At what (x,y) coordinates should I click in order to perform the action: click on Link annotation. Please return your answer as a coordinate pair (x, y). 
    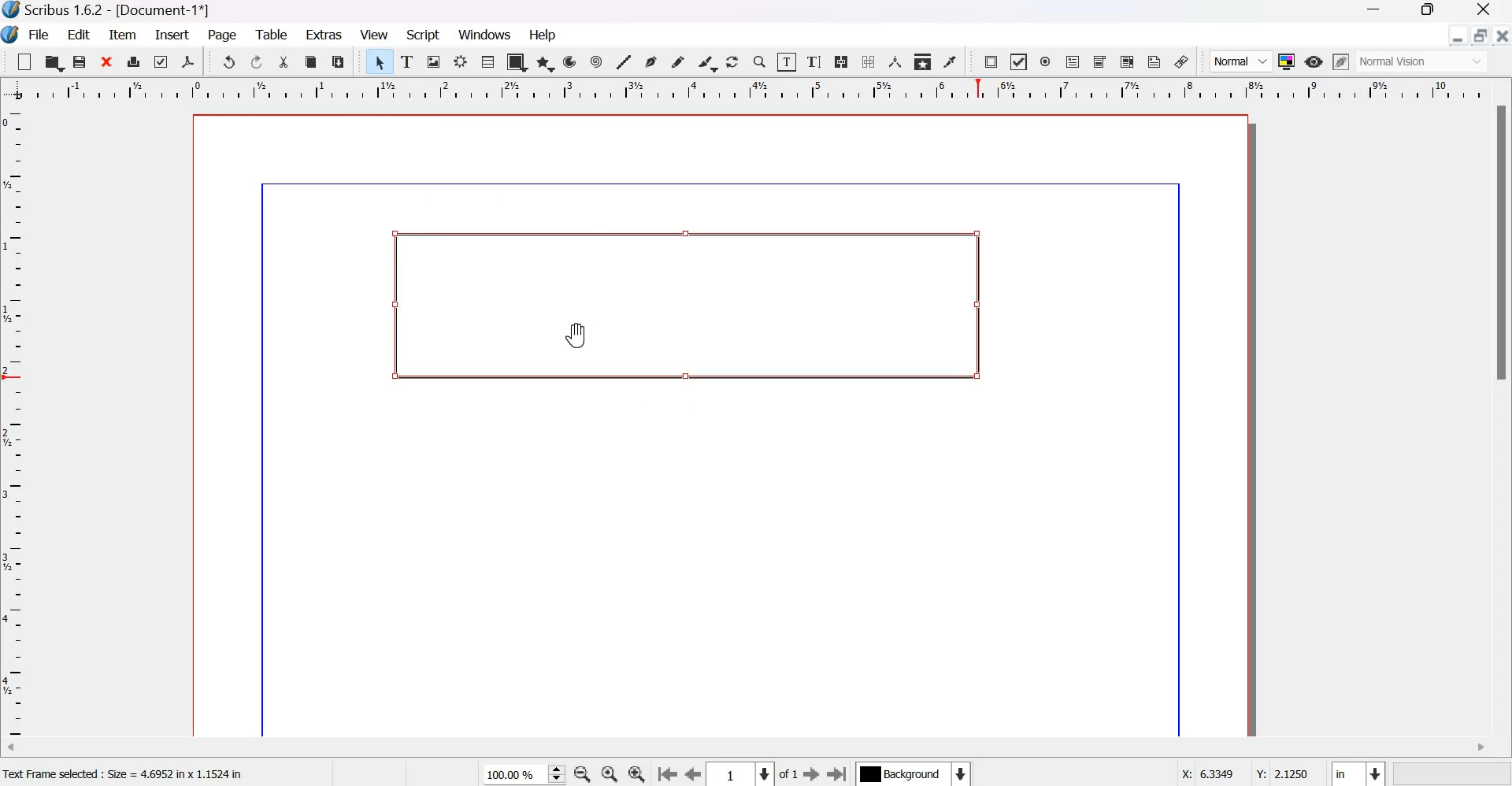
    Looking at the image, I should click on (1182, 61).